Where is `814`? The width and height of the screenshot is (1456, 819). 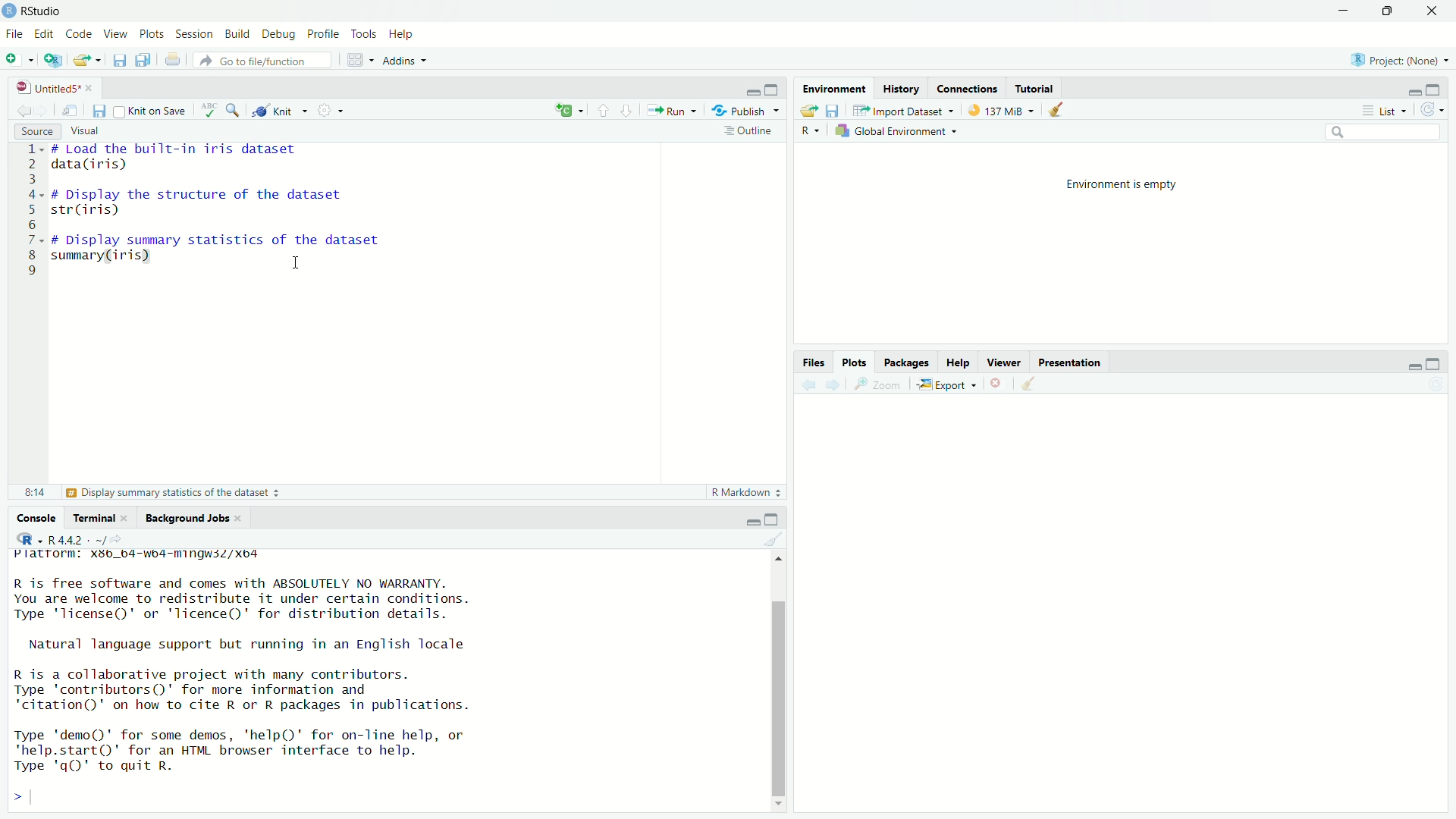
814 is located at coordinates (36, 492).